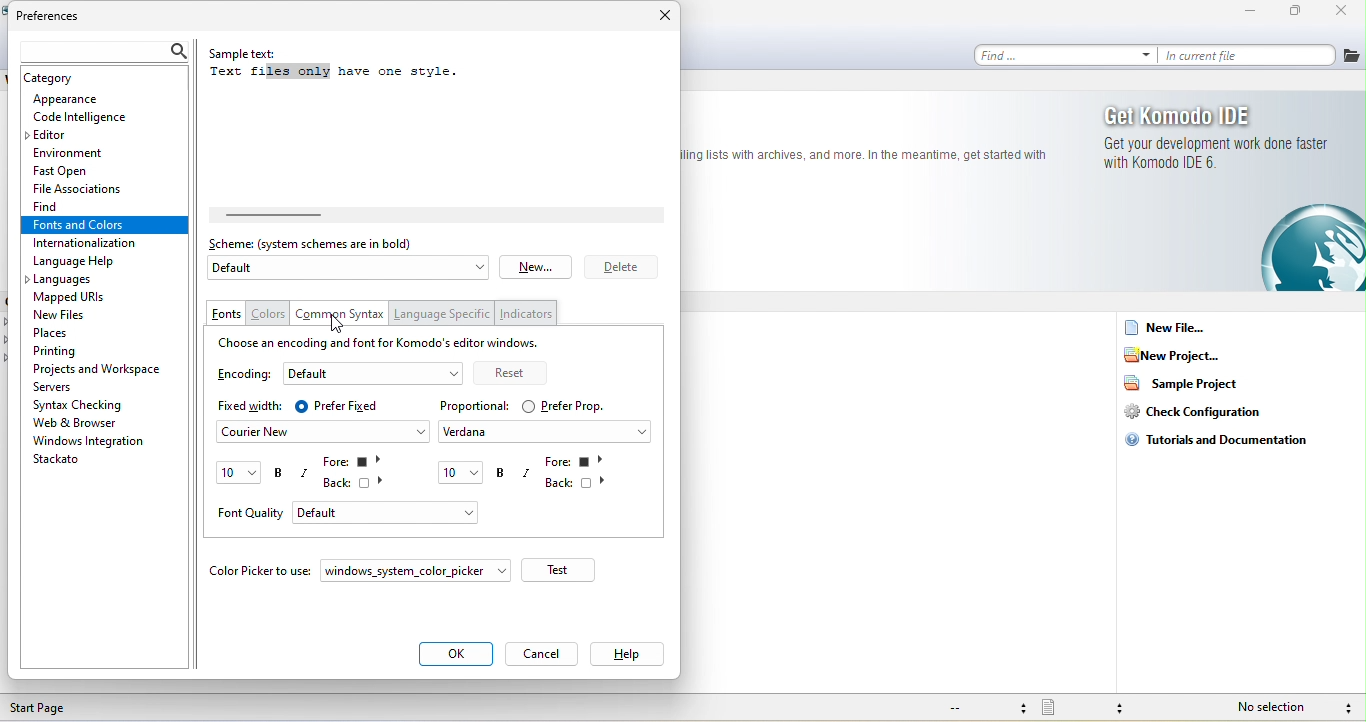 This screenshot has height=722, width=1366. What do you see at coordinates (583, 461) in the screenshot?
I see `fore` at bounding box center [583, 461].